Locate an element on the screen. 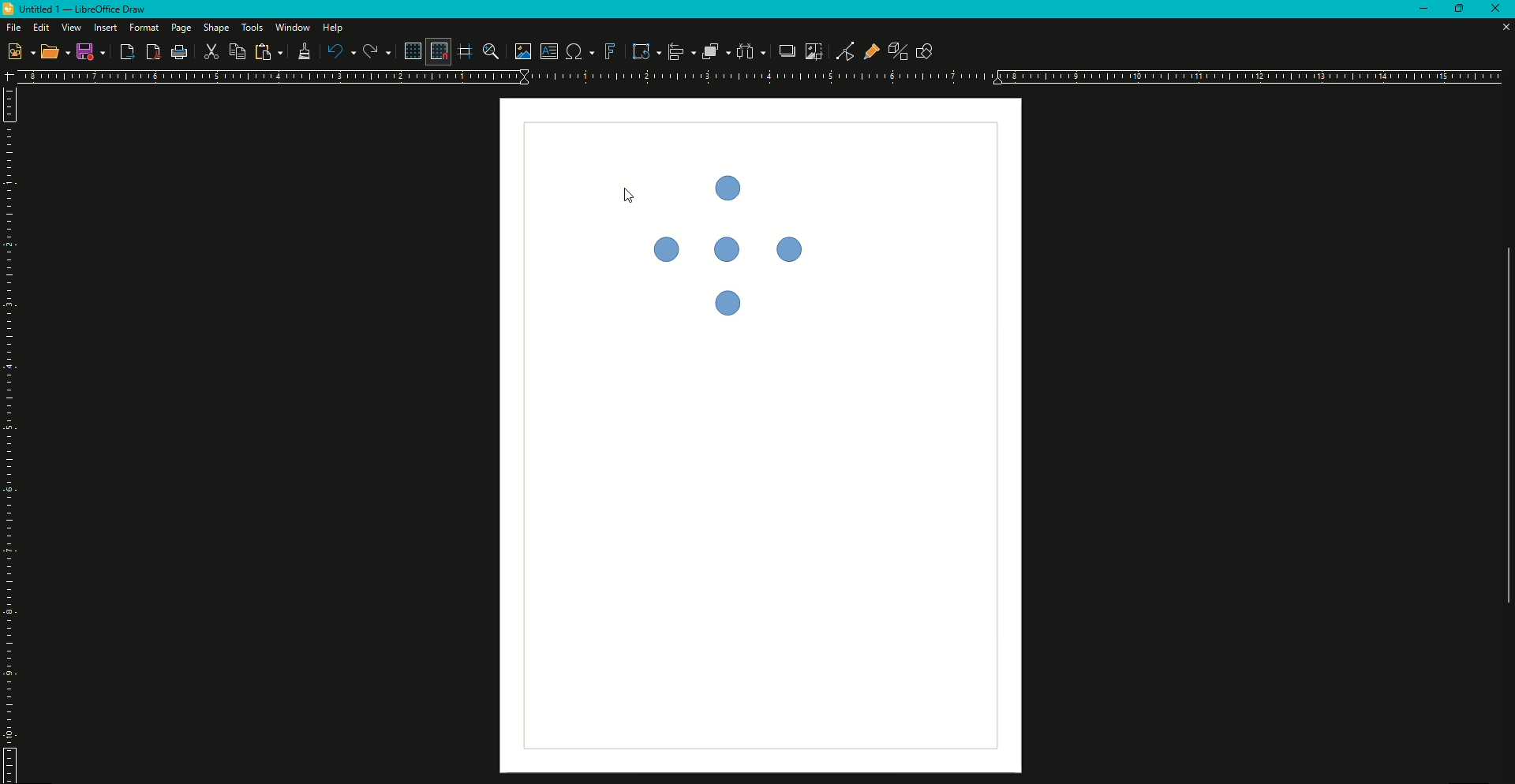 The width and height of the screenshot is (1515, 784). Cut is located at coordinates (211, 51).